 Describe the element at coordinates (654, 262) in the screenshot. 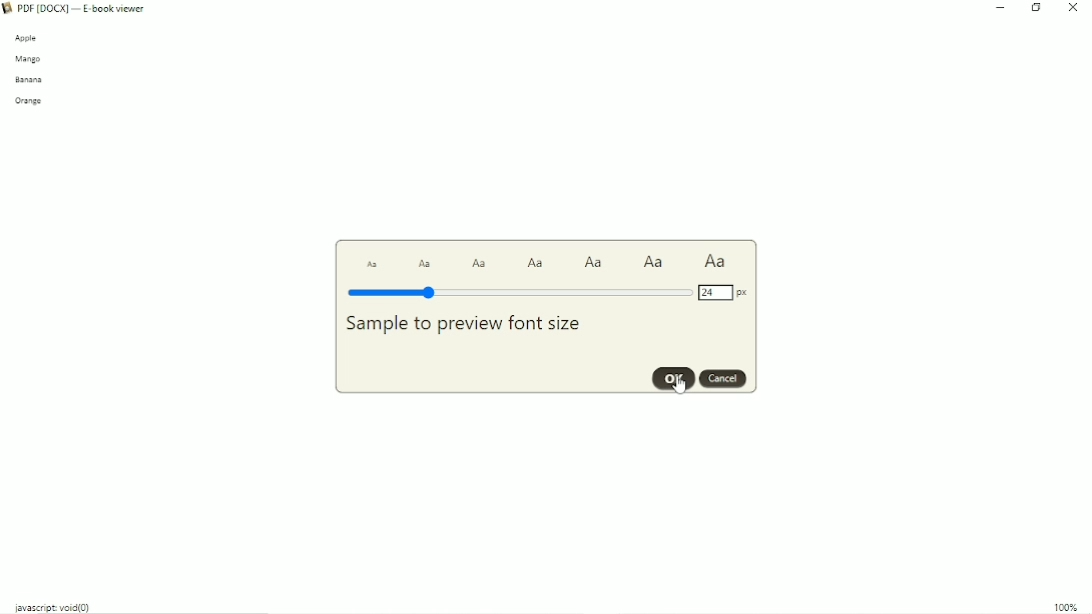

I see `Text size` at that location.